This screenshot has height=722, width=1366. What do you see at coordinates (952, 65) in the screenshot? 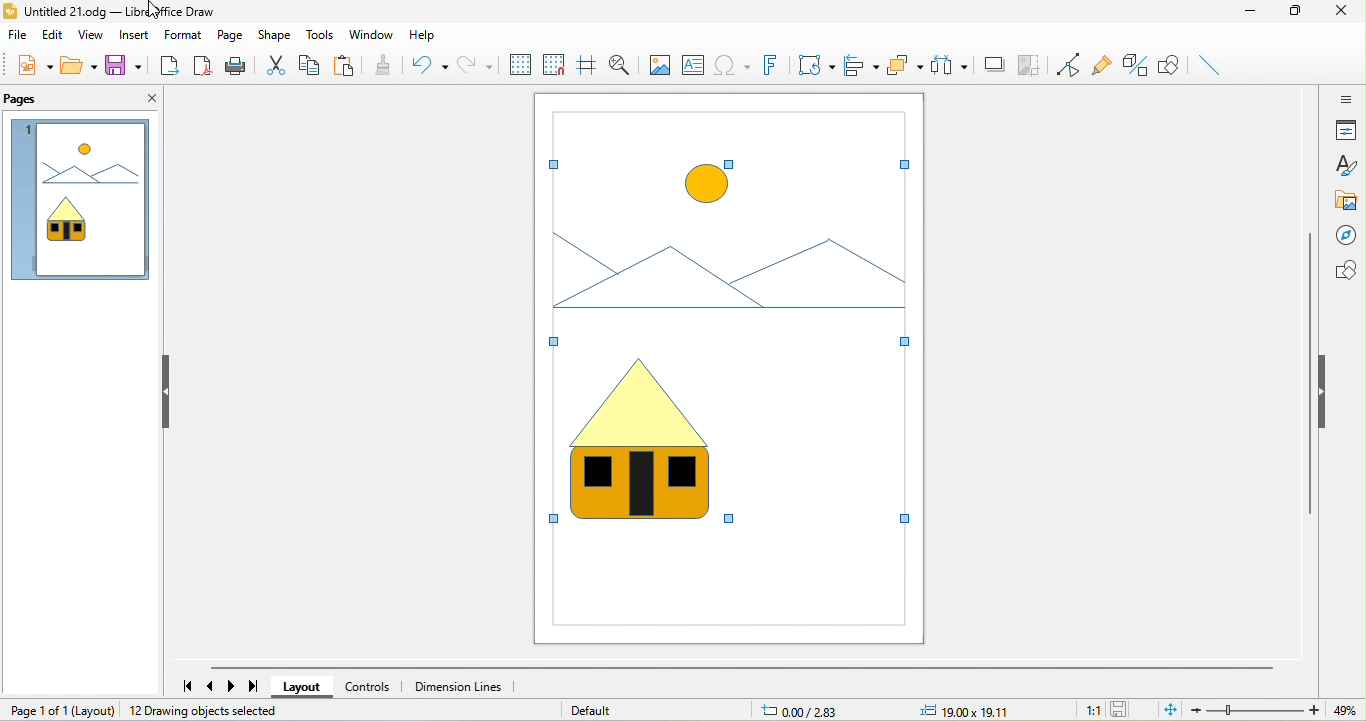
I see `select atleast three objects to distribute` at bounding box center [952, 65].